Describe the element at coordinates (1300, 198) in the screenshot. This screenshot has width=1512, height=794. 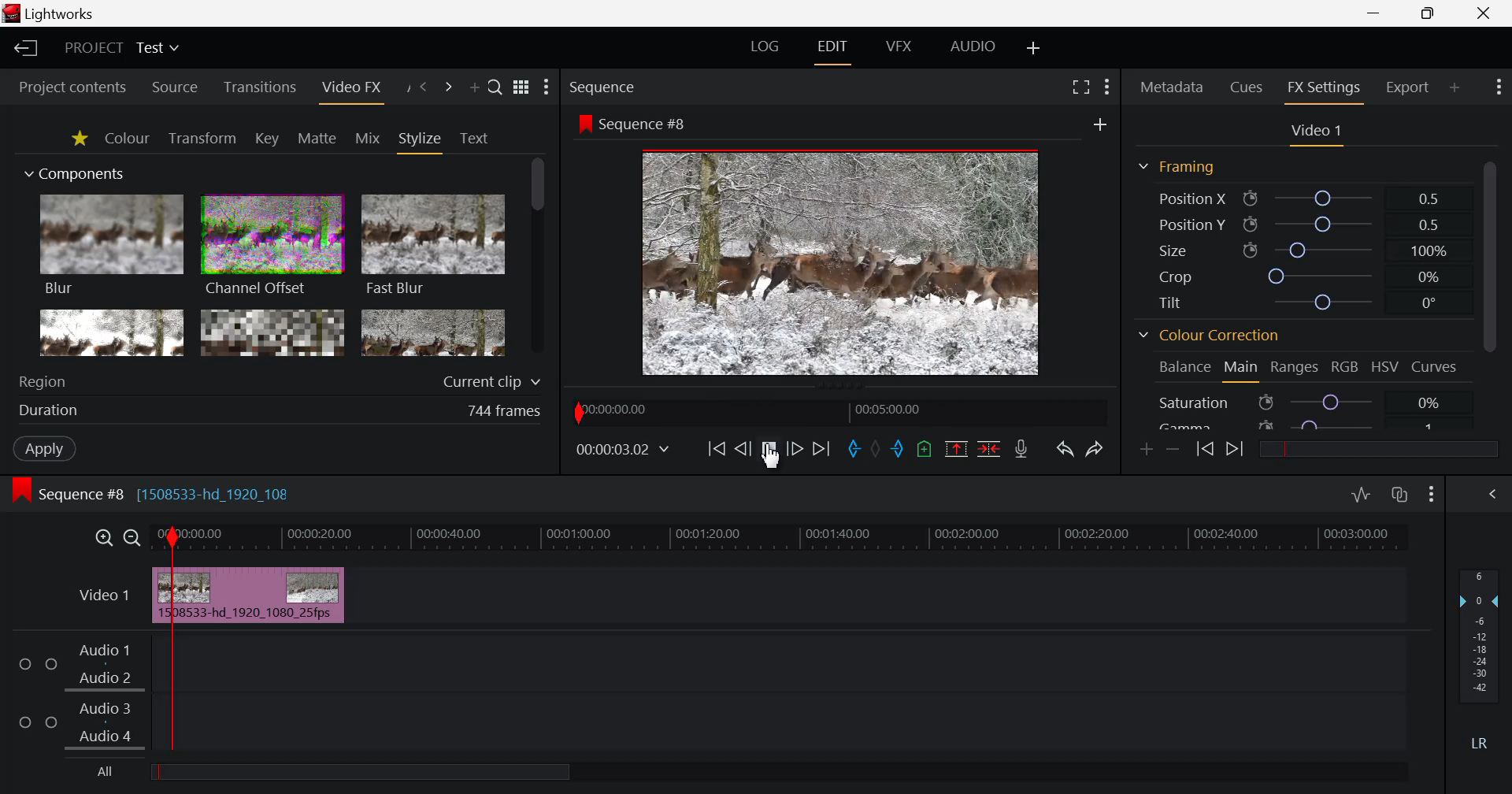
I see `Position X` at that location.